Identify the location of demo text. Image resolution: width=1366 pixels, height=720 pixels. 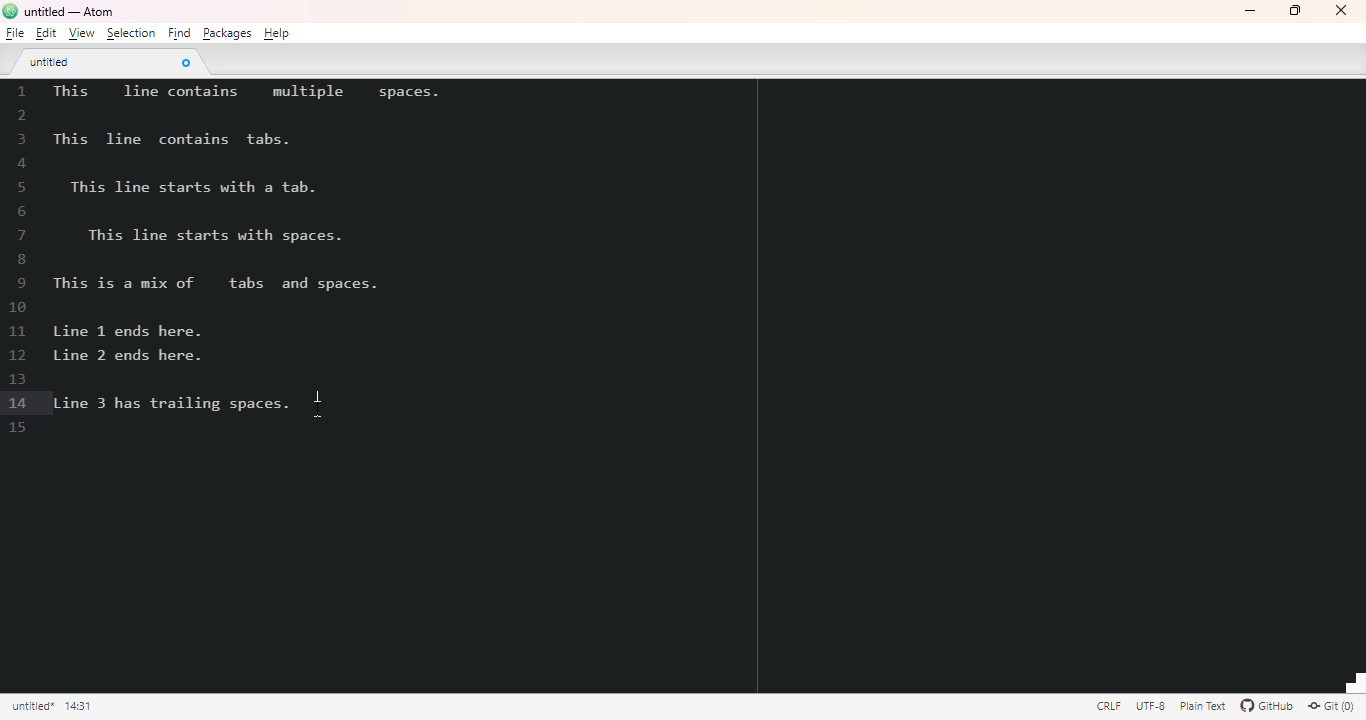
(243, 251).